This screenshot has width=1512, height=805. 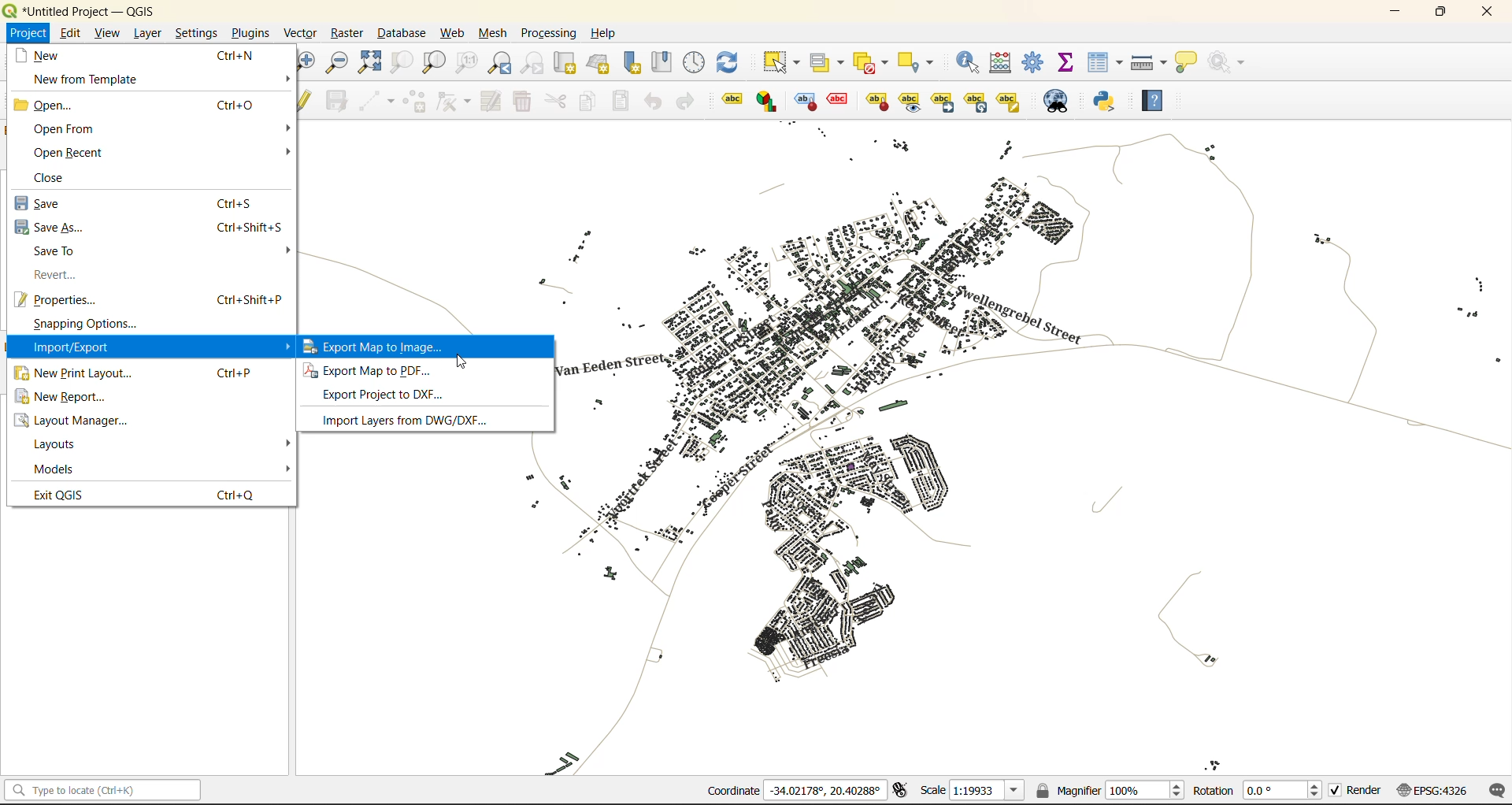 I want to click on cursor, so click(x=463, y=361).